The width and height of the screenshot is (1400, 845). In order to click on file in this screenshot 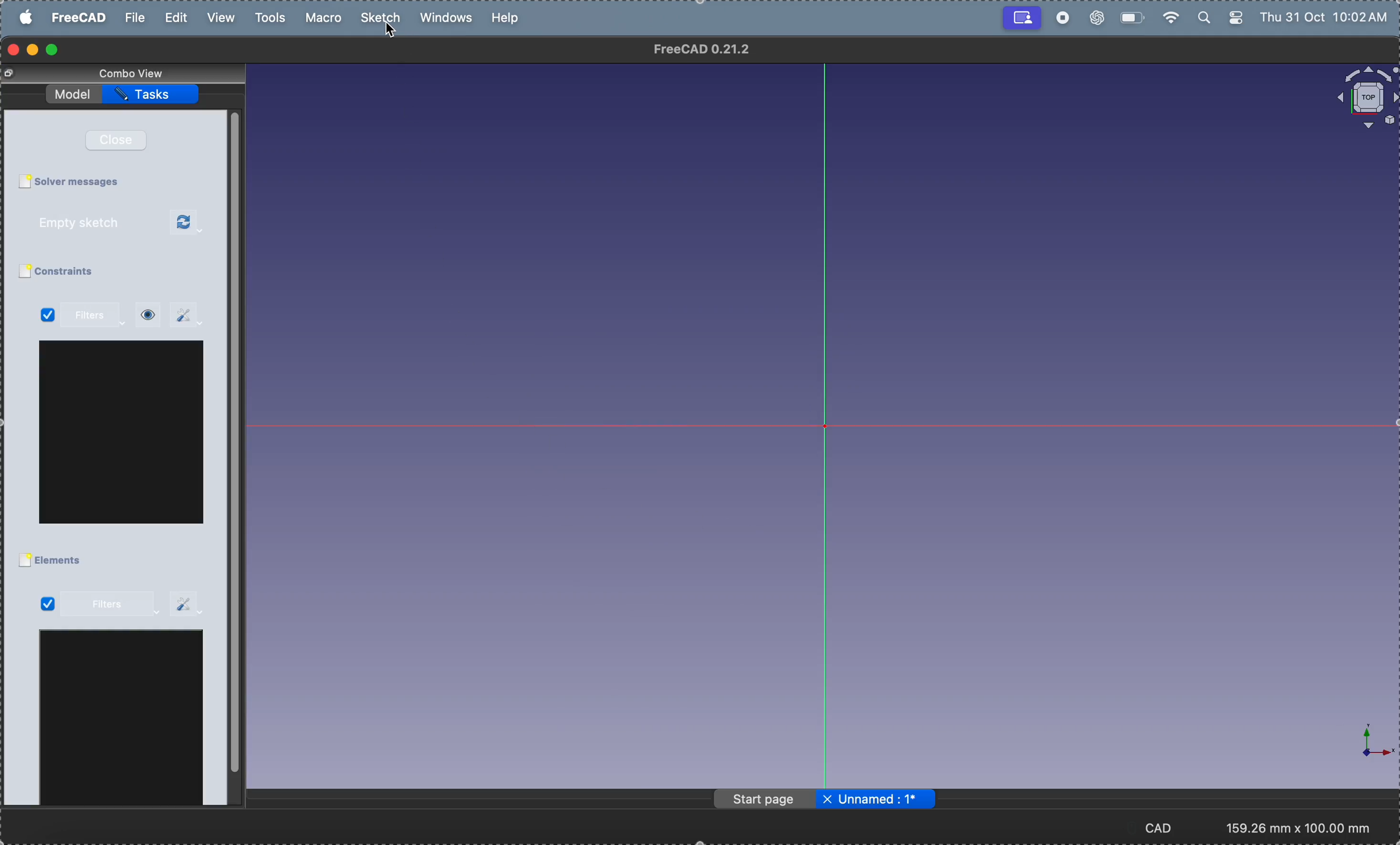, I will do `click(135, 18)`.